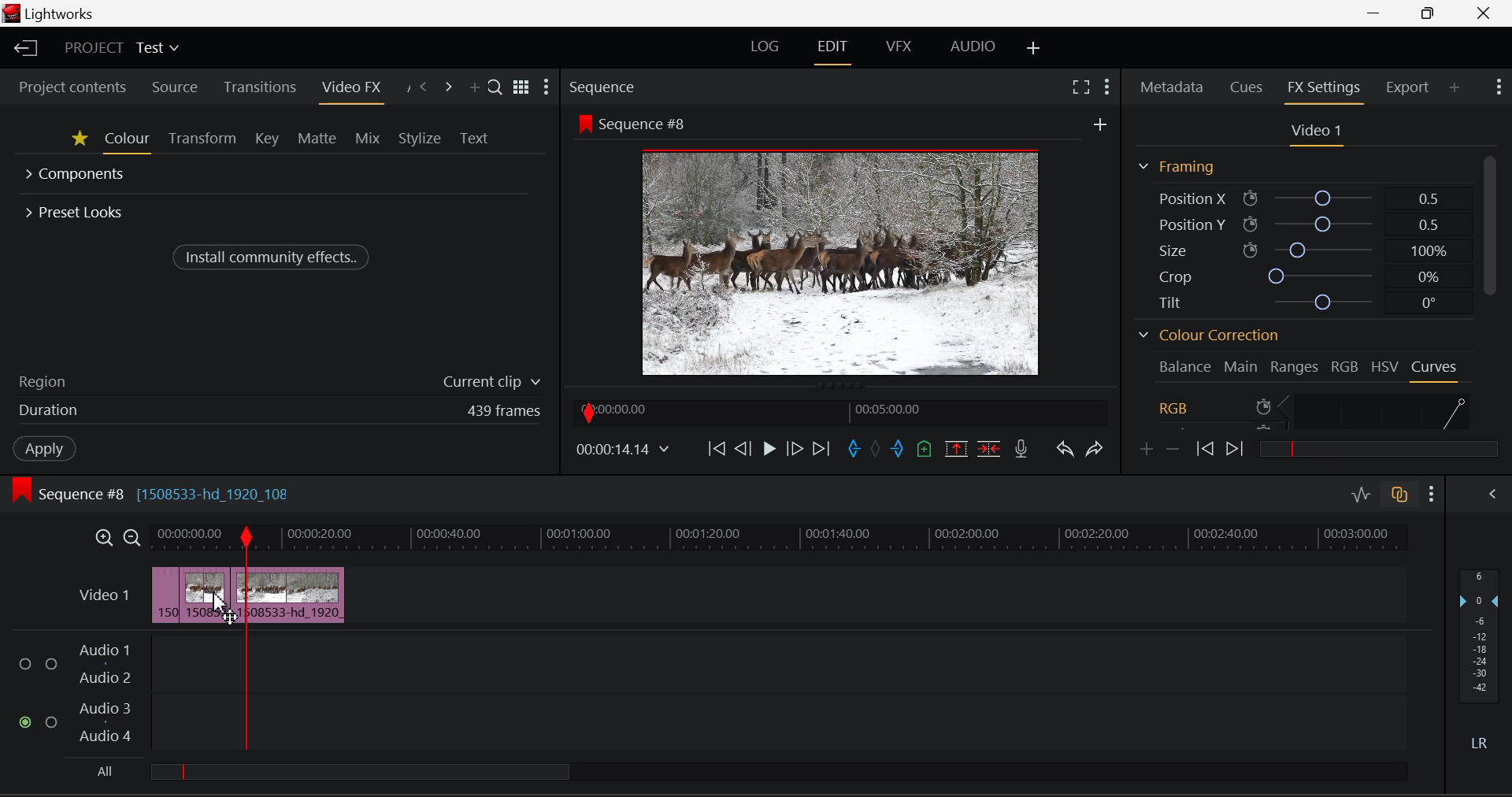 The width and height of the screenshot is (1512, 797). What do you see at coordinates (349, 87) in the screenshot?
I see `Video FX` at bounding box center [349, 87].